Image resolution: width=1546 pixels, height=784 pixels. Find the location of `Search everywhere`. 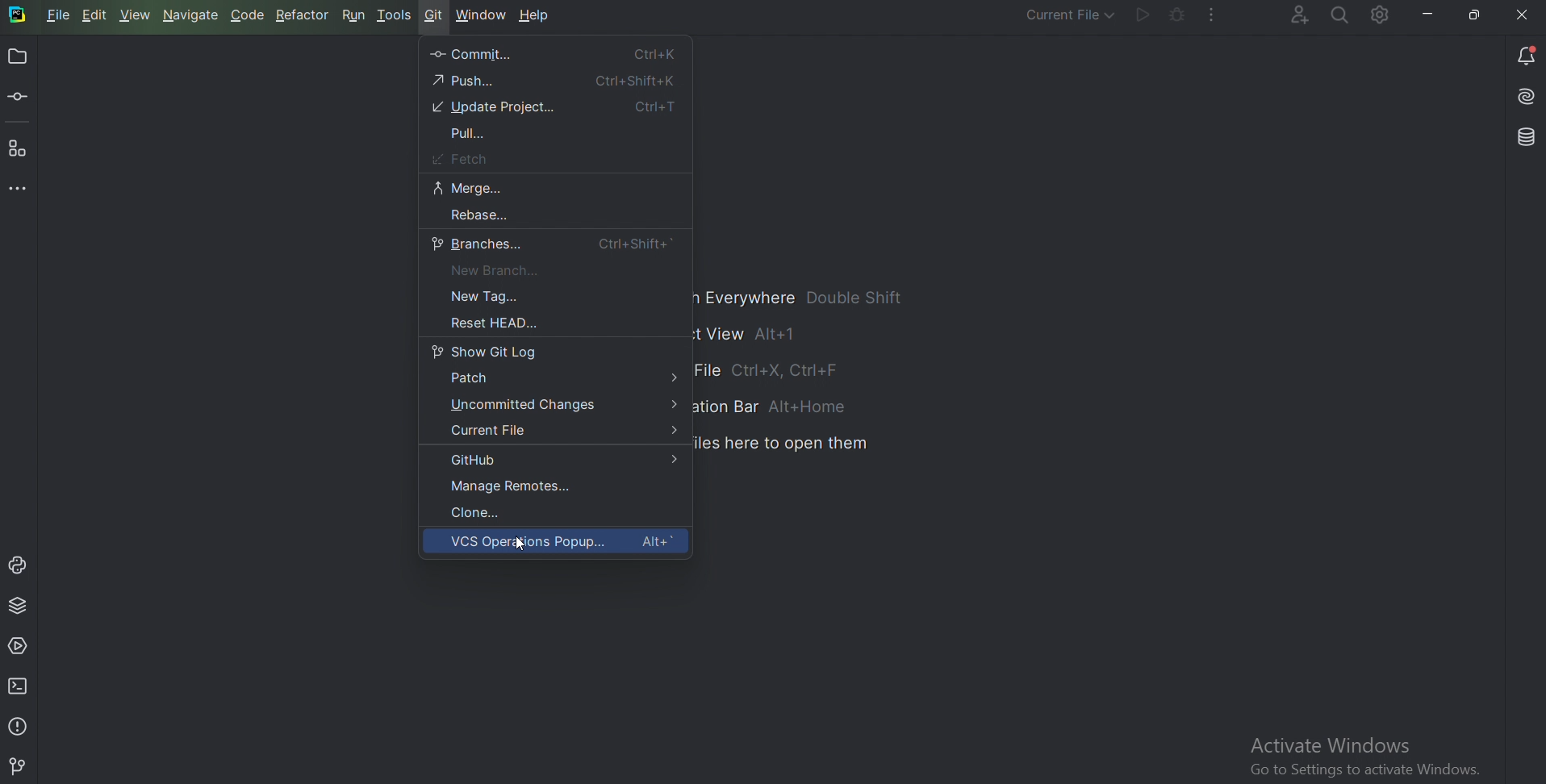

Search everywhere is located at coordinates (1338, 16).